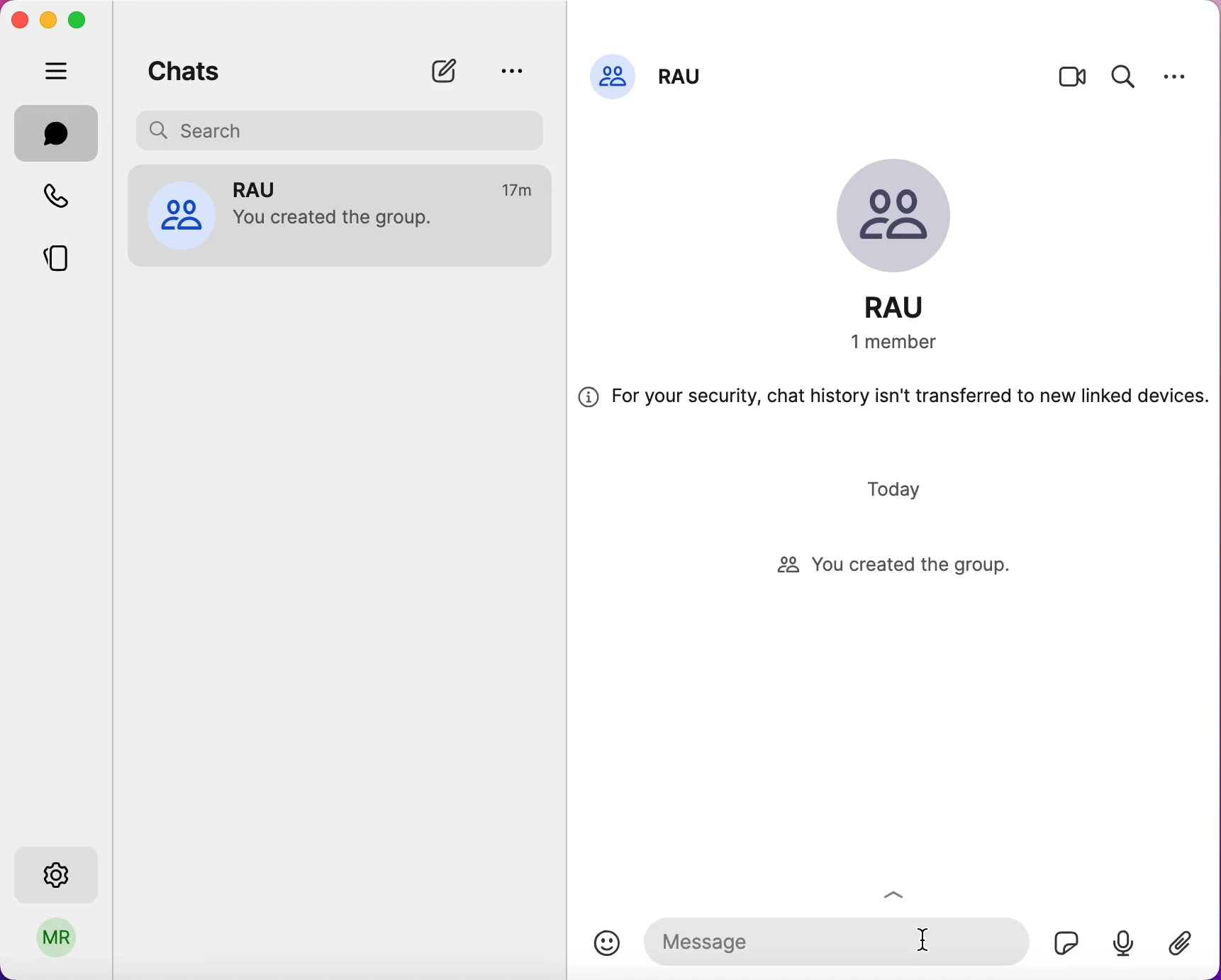  What do you see at coordinates (908, 567) in the screenshot?
I see `you created the group` at bounding box center [908, 567].